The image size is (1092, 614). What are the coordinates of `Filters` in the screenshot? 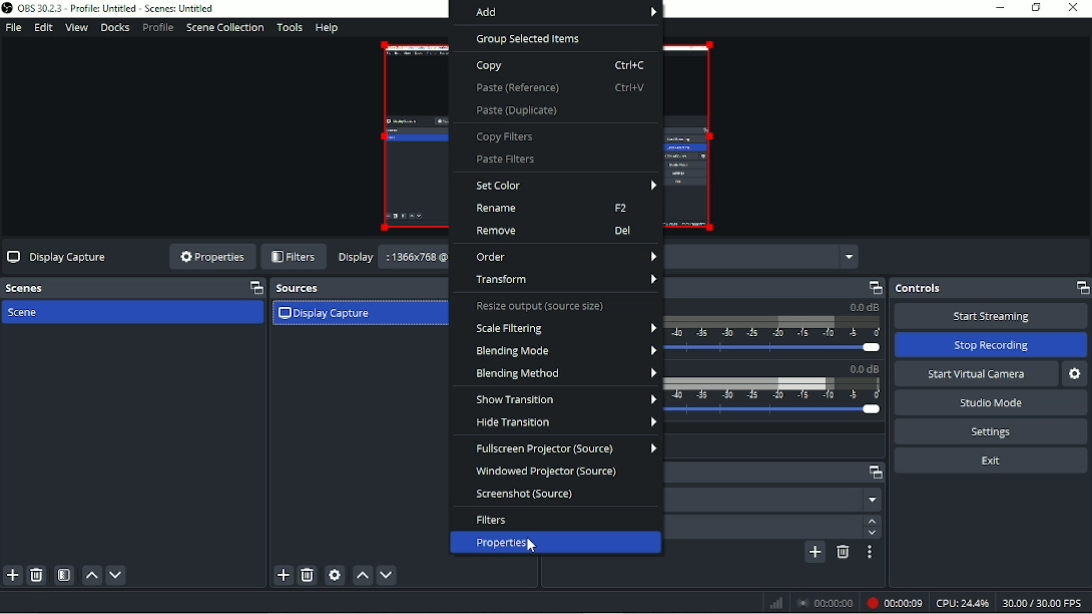 It's located at (492, 520).